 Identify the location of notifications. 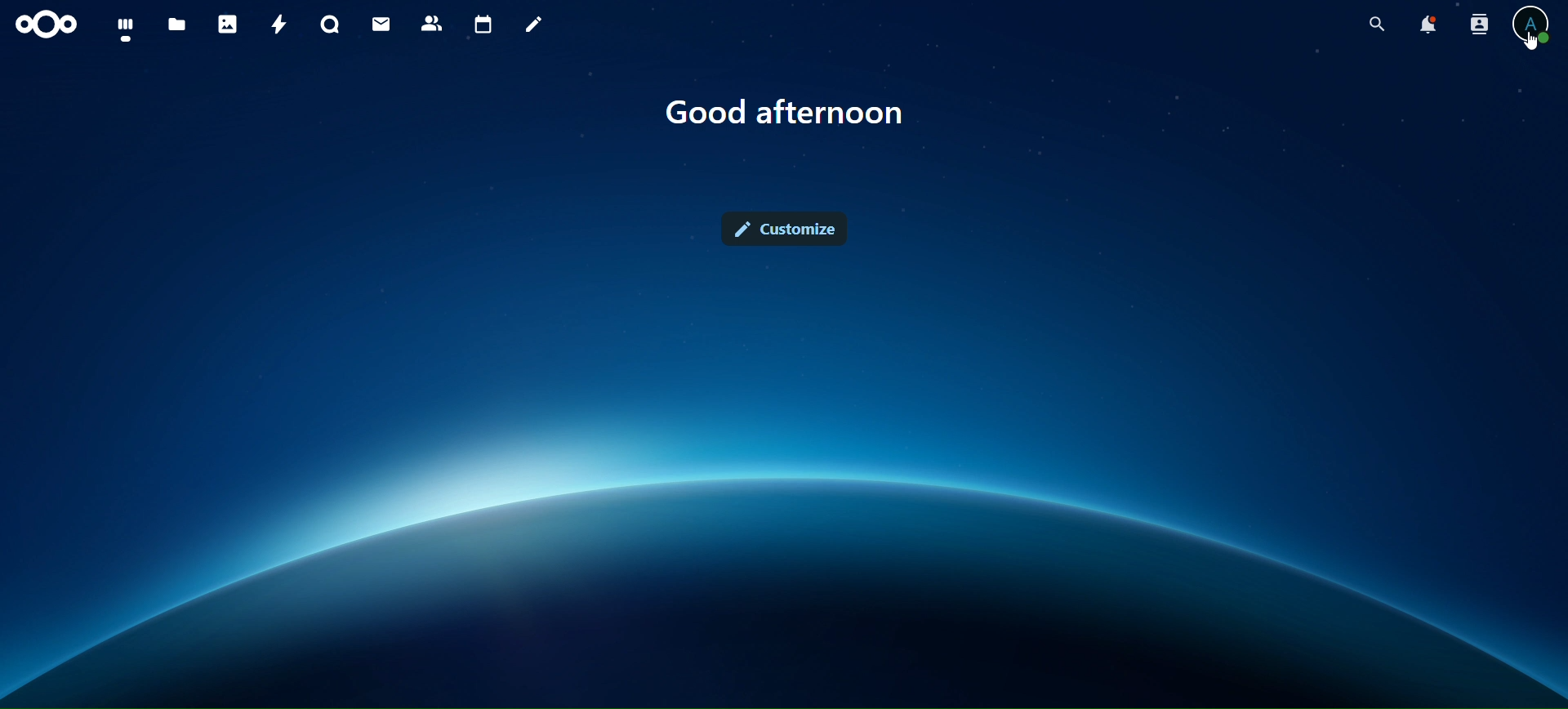
(1425, 24).